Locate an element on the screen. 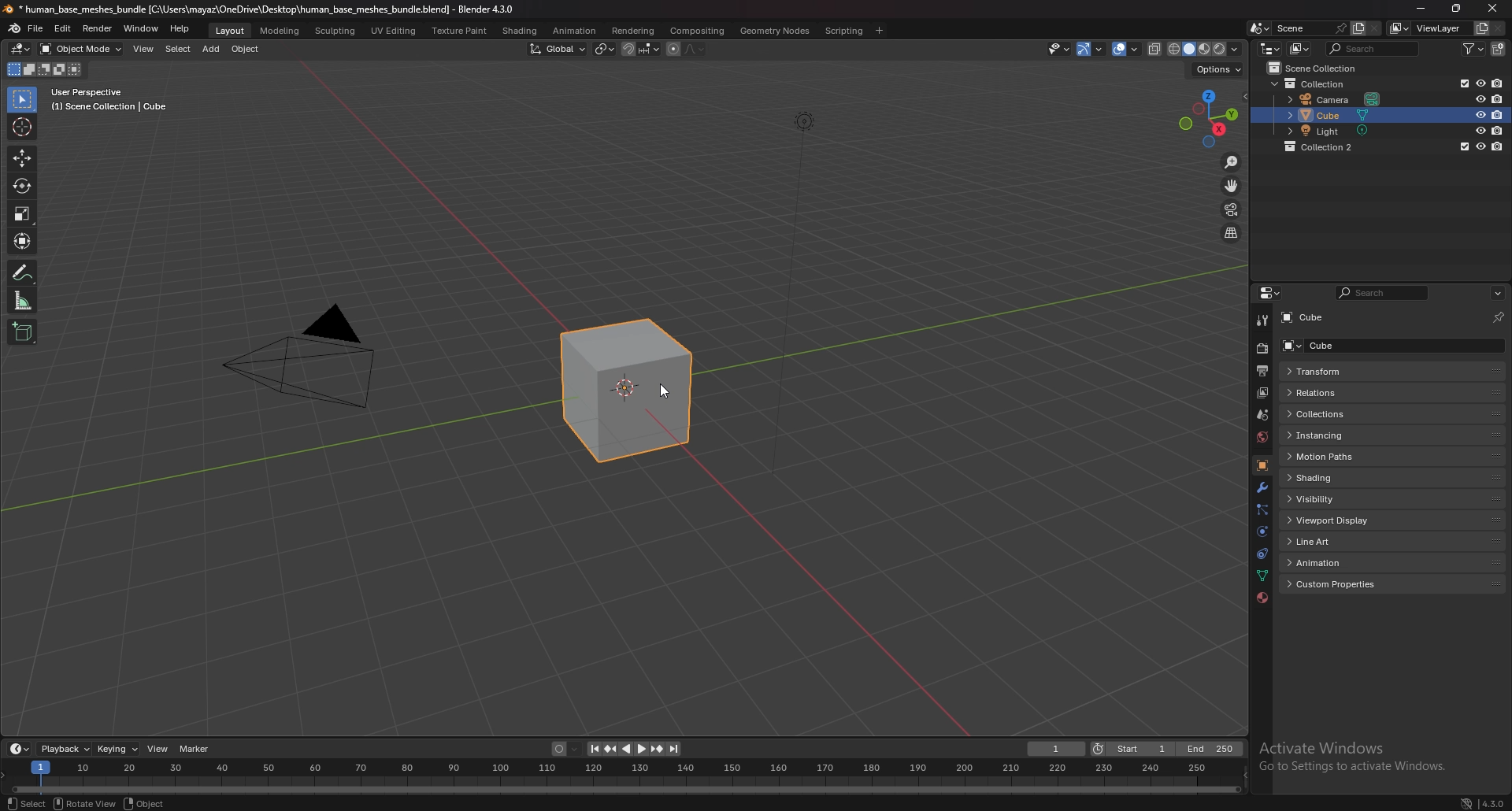 The image size is (1512, 811). anination is located at coordinates (574, 30).